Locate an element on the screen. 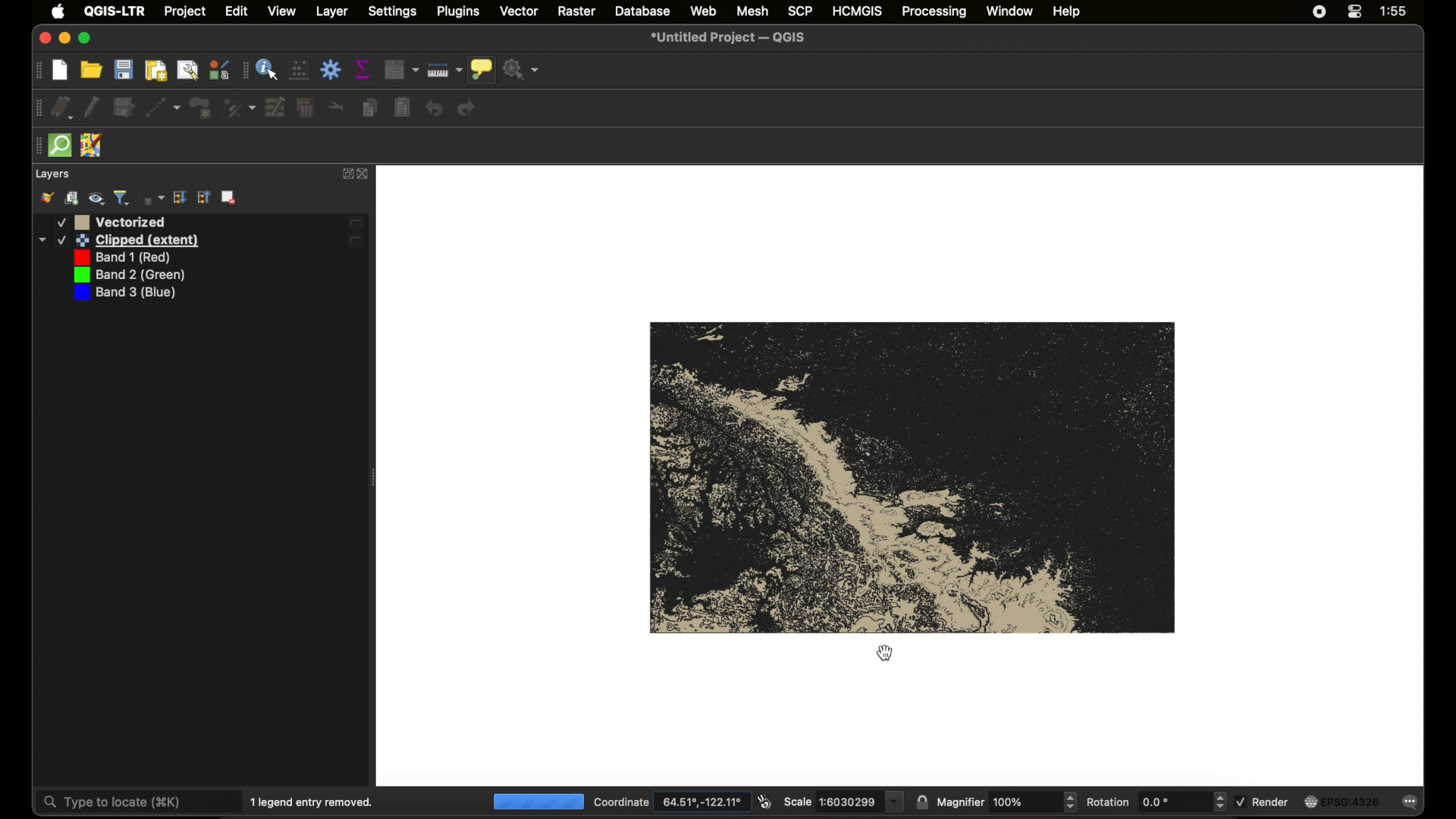  drag handke is located at coordinates (37, 108).